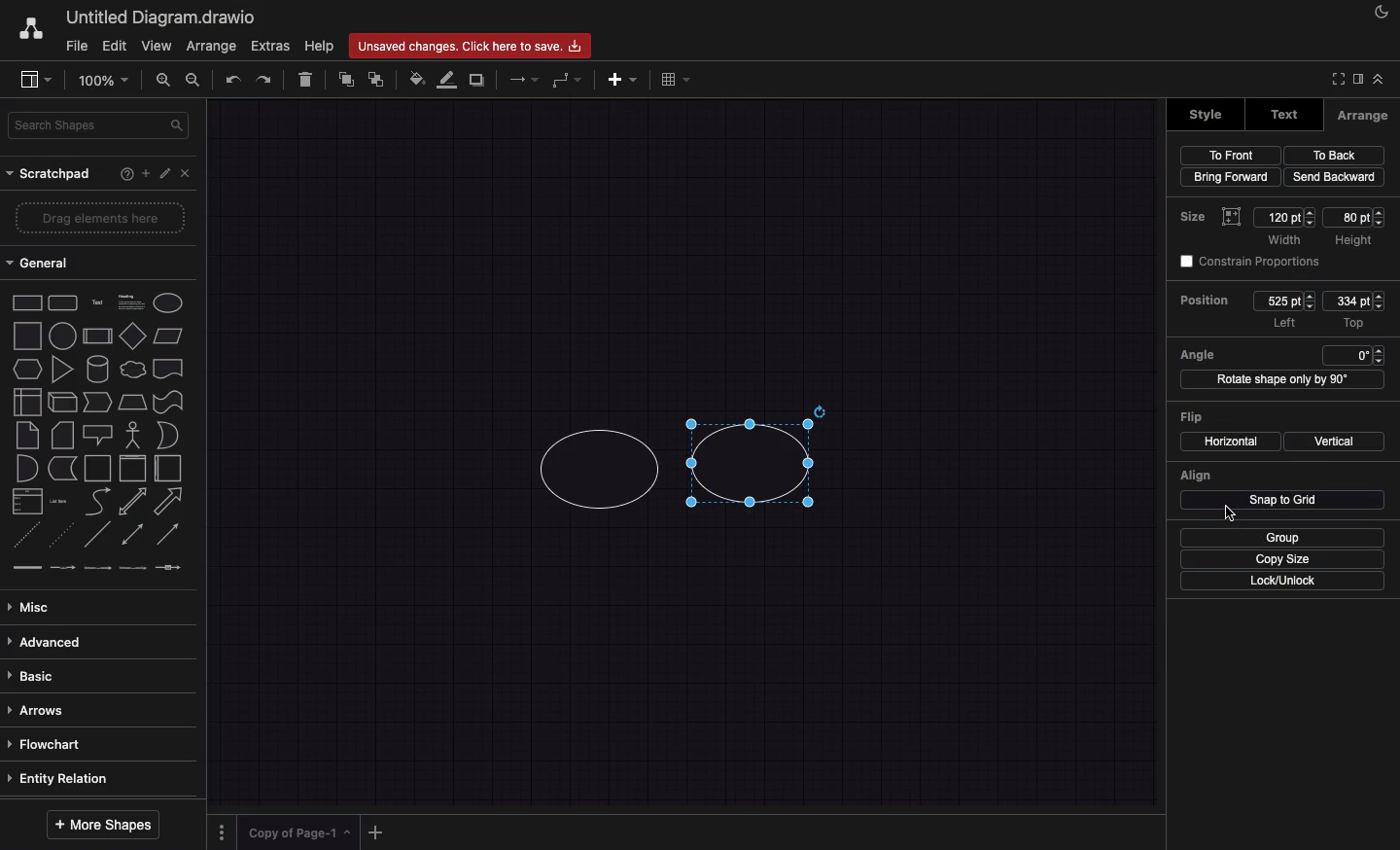 The height and width of the screenshot is (850, 1400). Describe the element at coordinates (757, 455) in the screenshot. I see `selected circle` at that location.